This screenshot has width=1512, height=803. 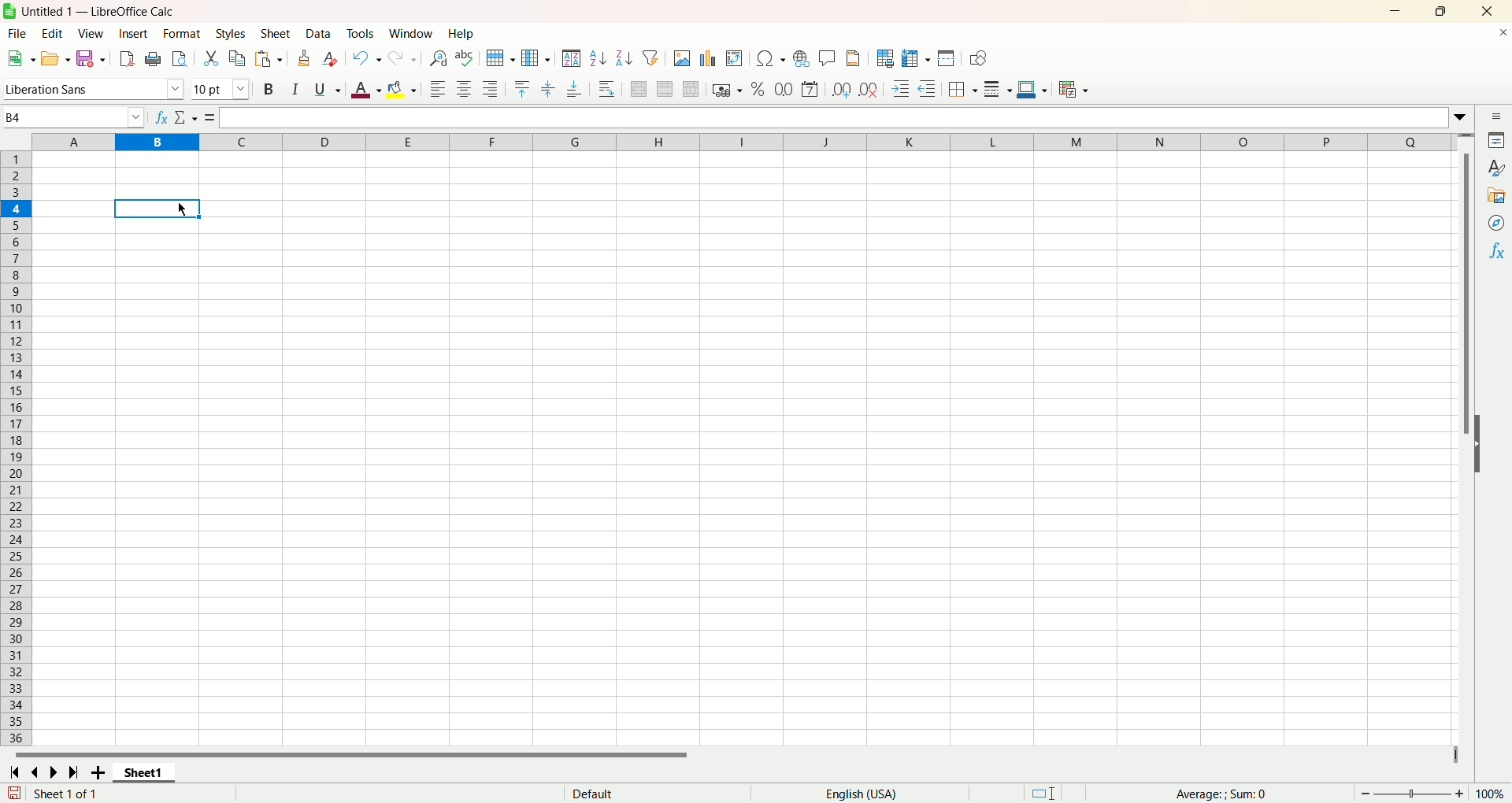 What do you see at coordinates (92, 33) in the screenshot?
I see `view` at bounding box center [92, 33].